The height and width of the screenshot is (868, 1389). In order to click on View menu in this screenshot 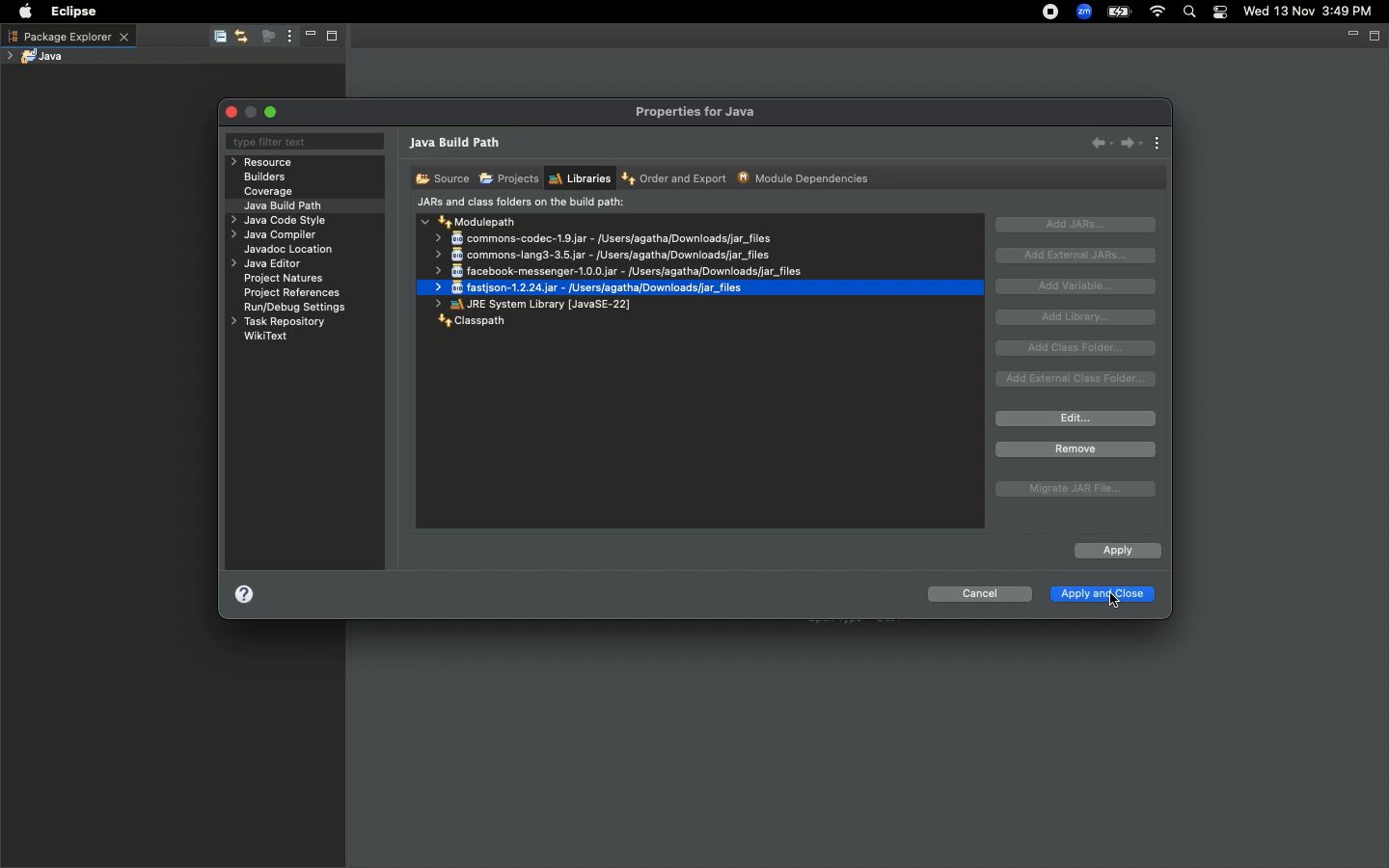, I will do `click(287, 37)`.